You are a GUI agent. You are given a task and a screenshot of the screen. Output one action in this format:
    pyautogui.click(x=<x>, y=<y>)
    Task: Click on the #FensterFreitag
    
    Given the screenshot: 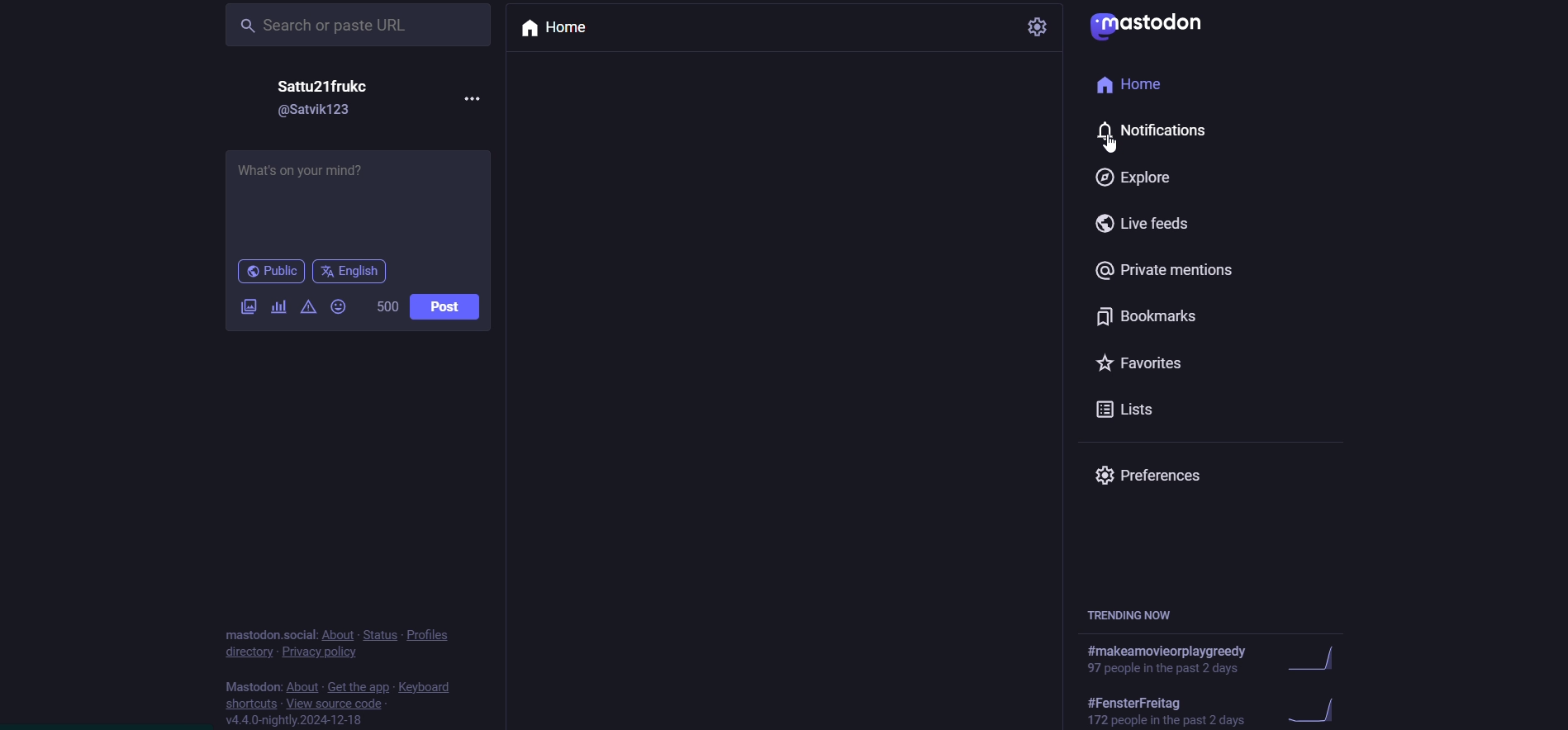 What is the action you would take?
    pyautogui.click(x=1139, y=701)
    